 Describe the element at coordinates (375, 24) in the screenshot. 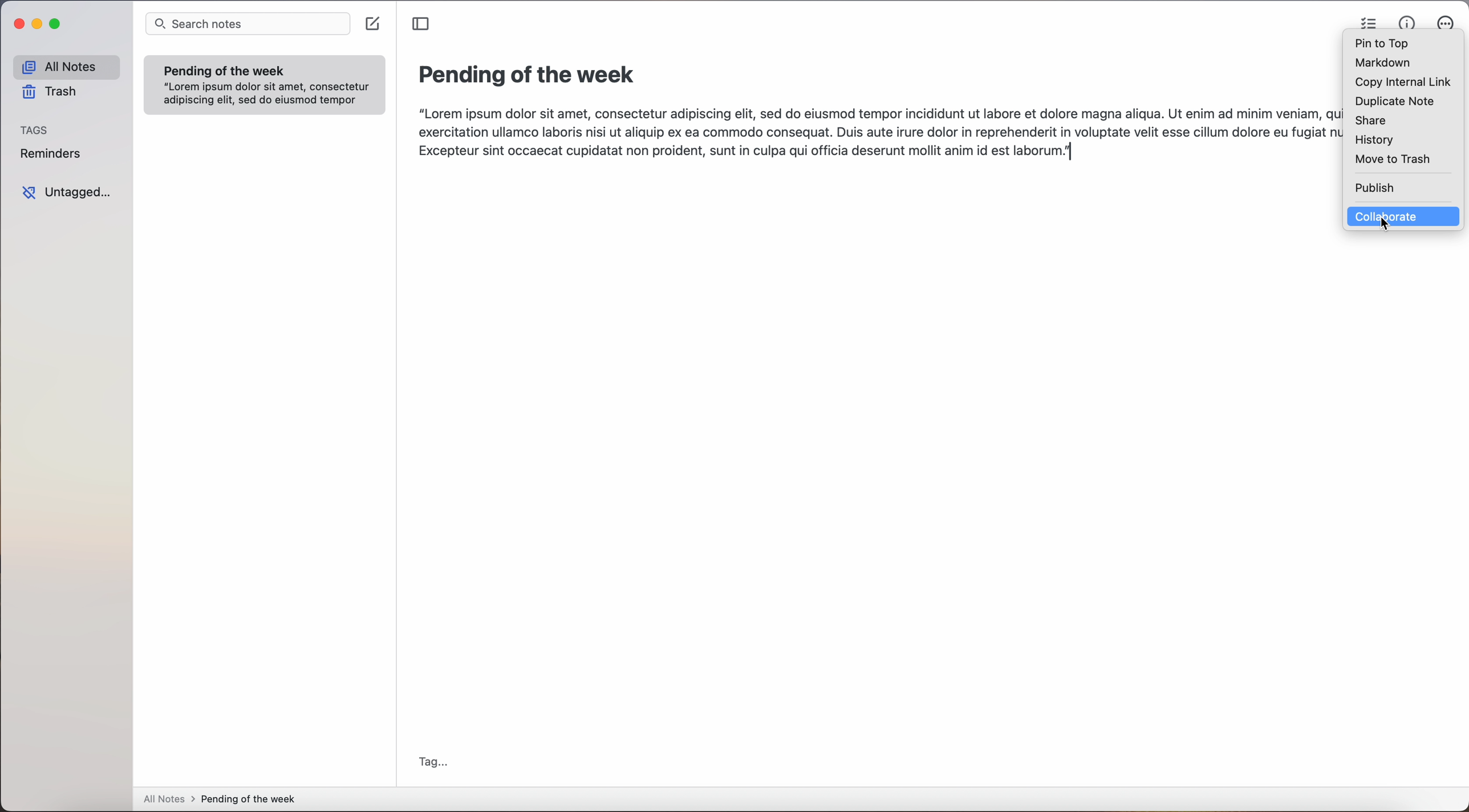

I see `create note` at that location.